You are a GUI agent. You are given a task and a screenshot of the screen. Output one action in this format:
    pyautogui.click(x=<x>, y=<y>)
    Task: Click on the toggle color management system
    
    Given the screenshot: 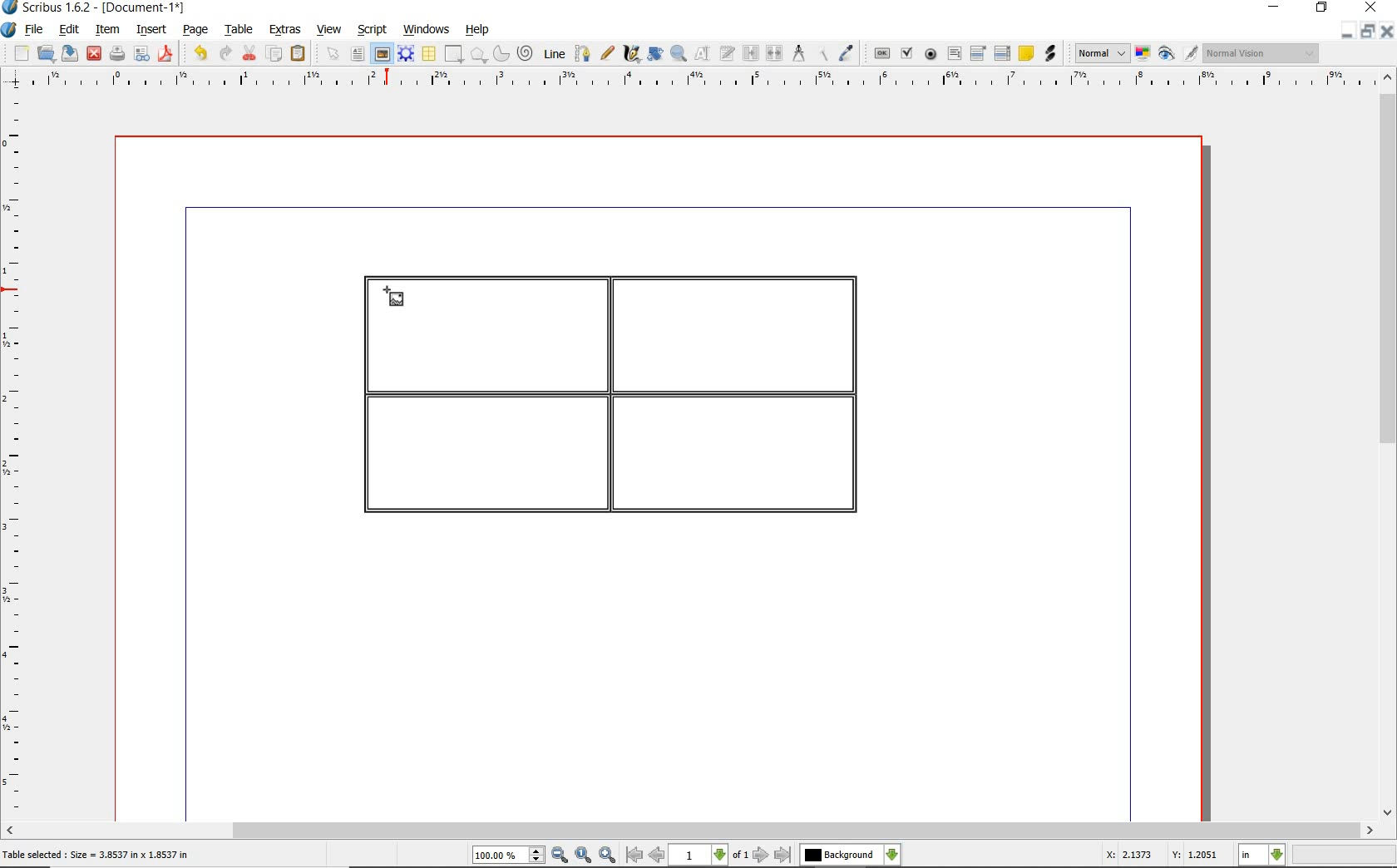 What is the action you would take?
    pyautogui.click(x=1144, y=55)
    